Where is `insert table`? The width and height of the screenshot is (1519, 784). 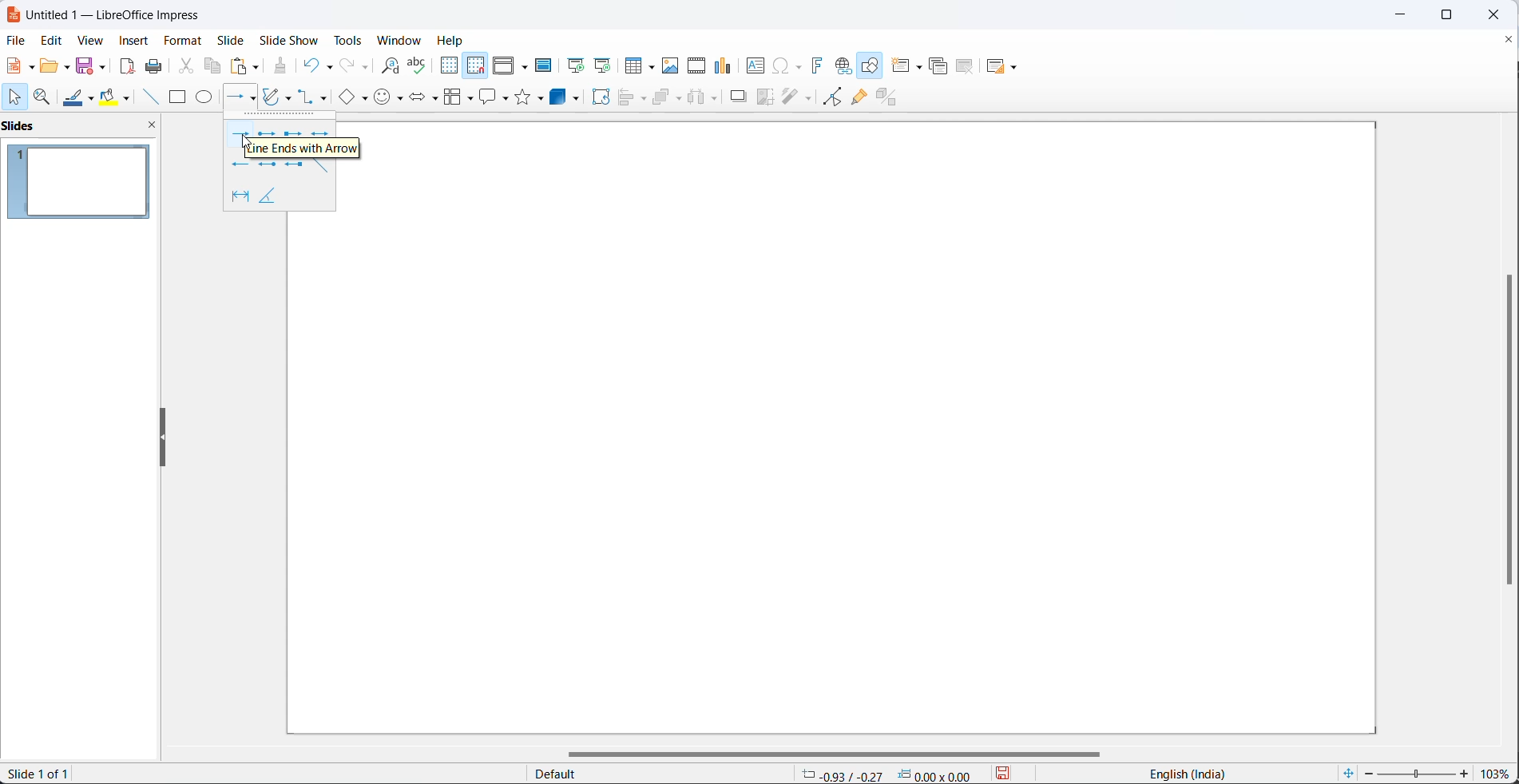
insert table is located at coordinates (637, 65).